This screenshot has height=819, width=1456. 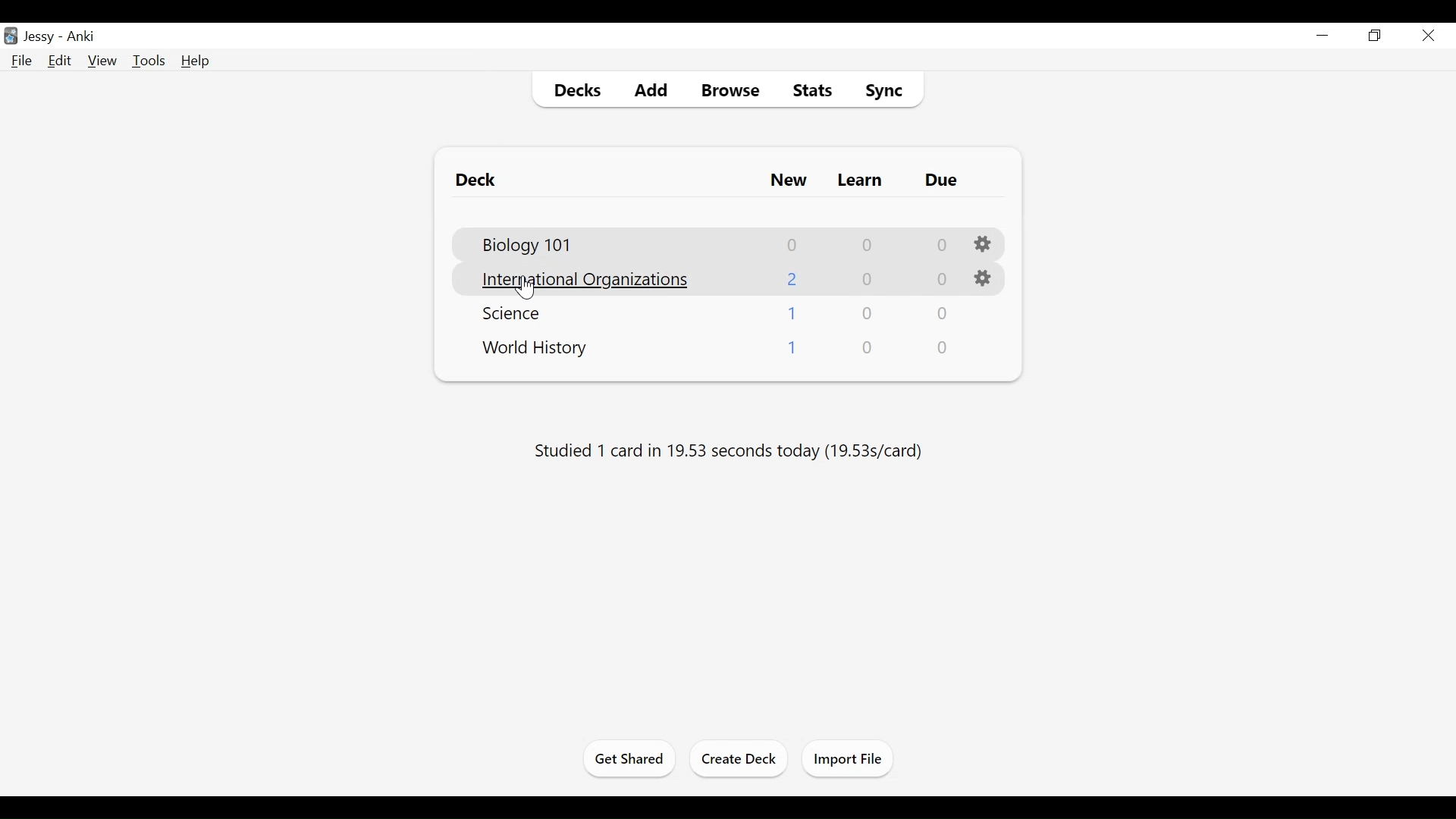 What do you see at coordinates (585, 280) in the screenshot?
I see `Deck Name` at bounding box center [585, 280].